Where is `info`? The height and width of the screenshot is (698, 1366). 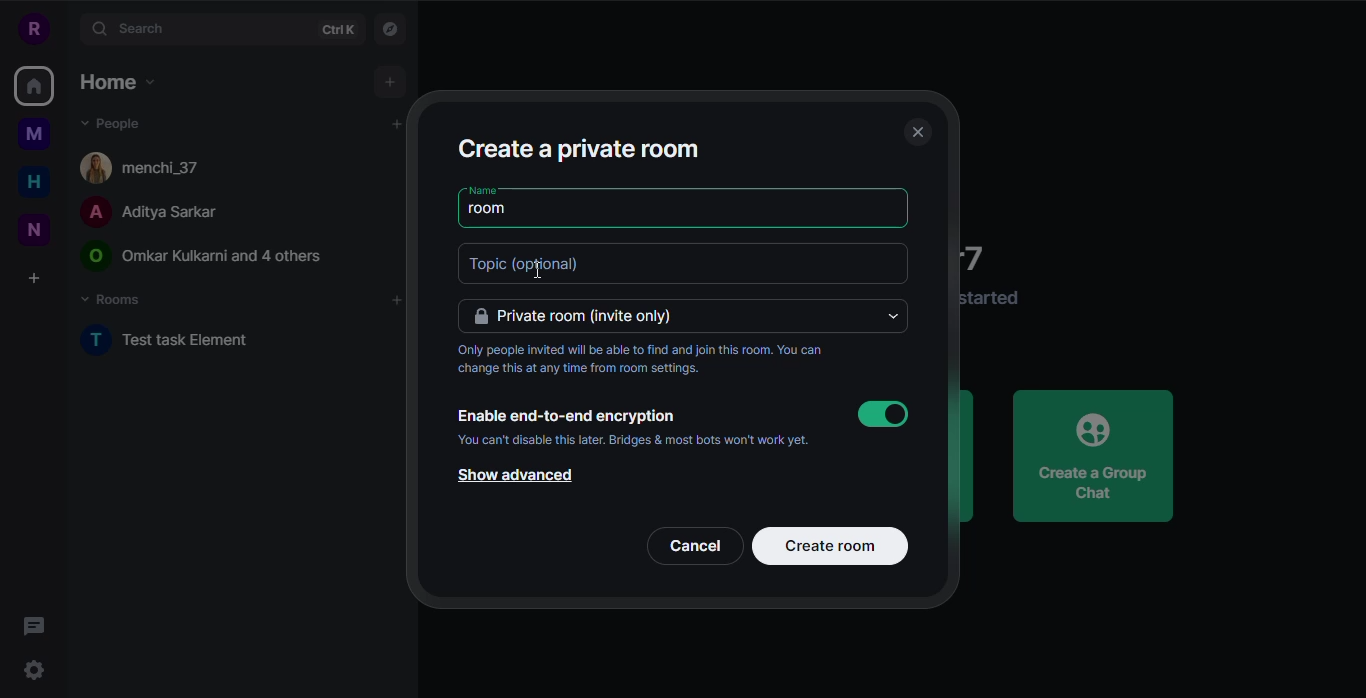
info is located at coordinates (993, 298).